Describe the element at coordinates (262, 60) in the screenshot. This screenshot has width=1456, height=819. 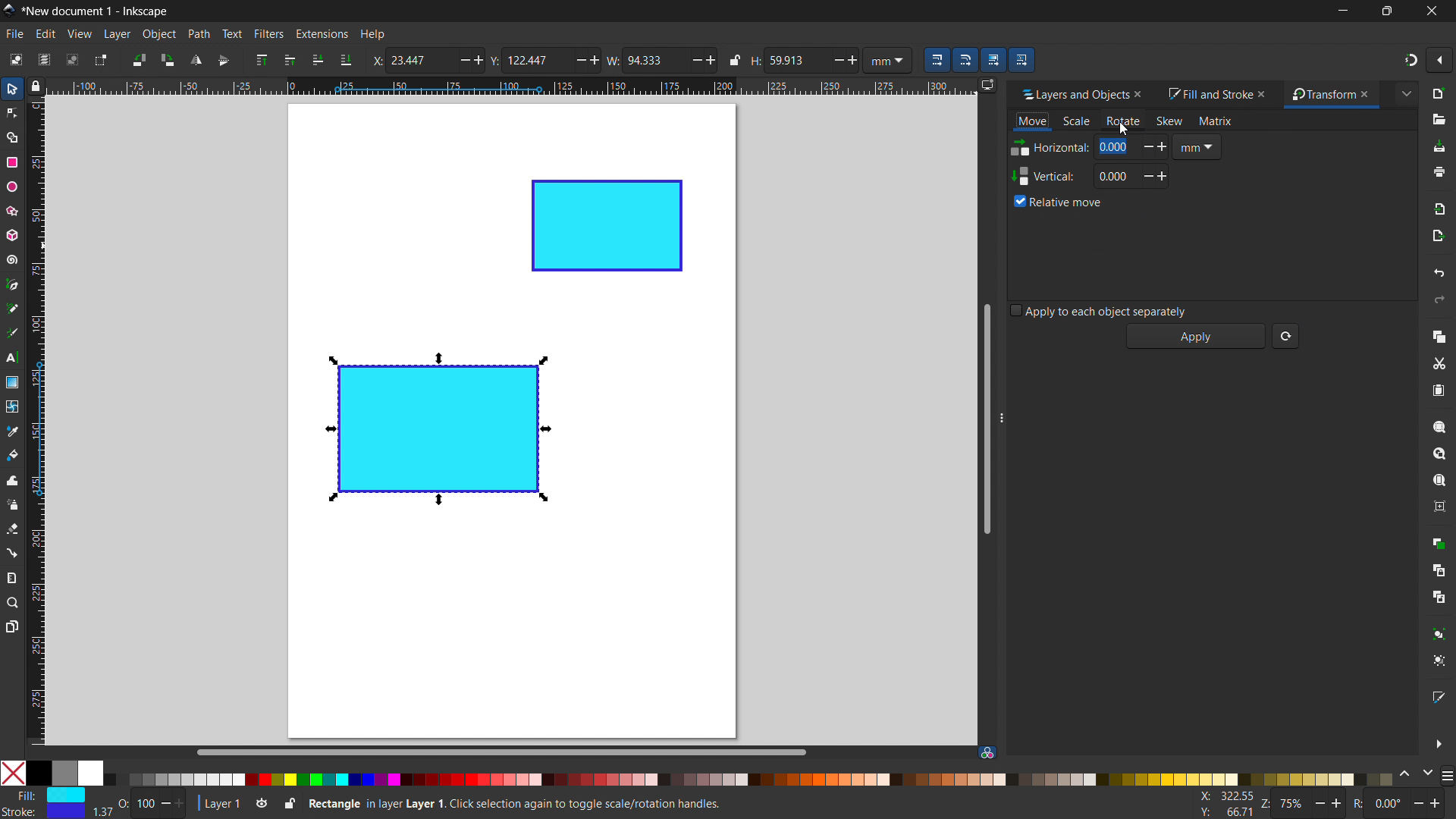
I see `raise to top` at that location.